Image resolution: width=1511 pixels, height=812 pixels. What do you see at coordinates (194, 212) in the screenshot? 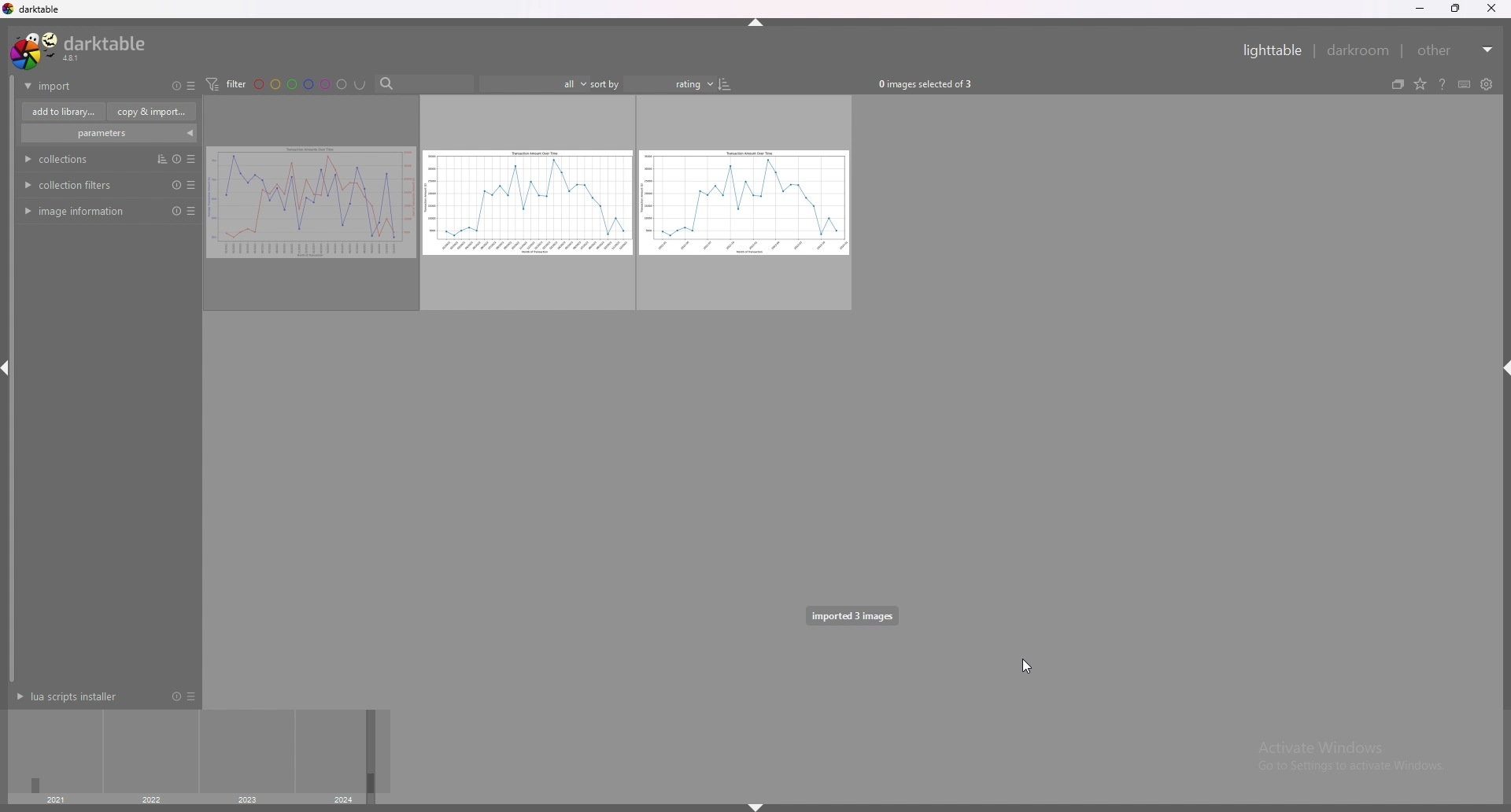
I see `presets` at bounding box center [194, 212].